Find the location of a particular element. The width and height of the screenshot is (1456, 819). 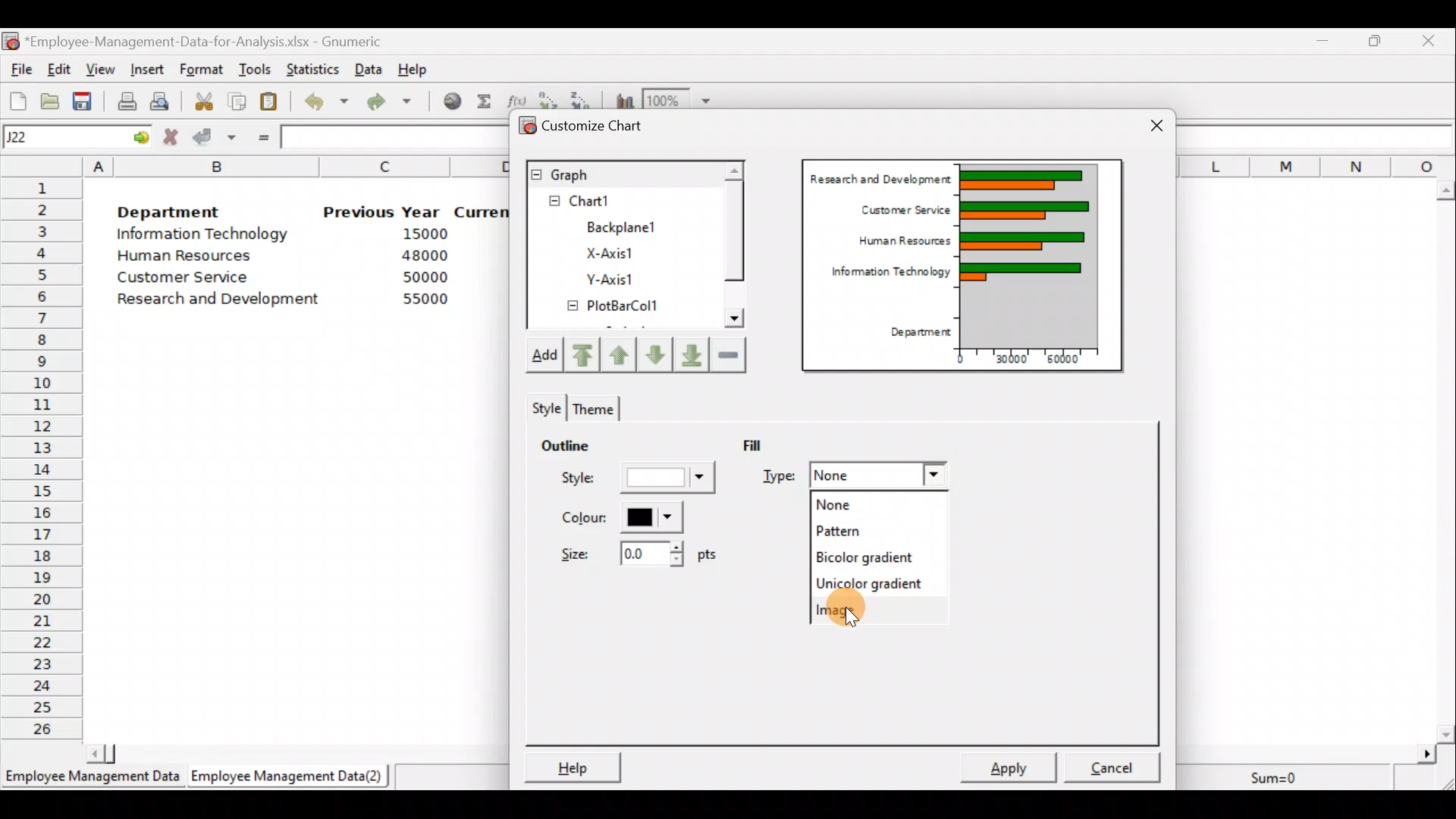

Pattern is located at coordinates (870, 529).